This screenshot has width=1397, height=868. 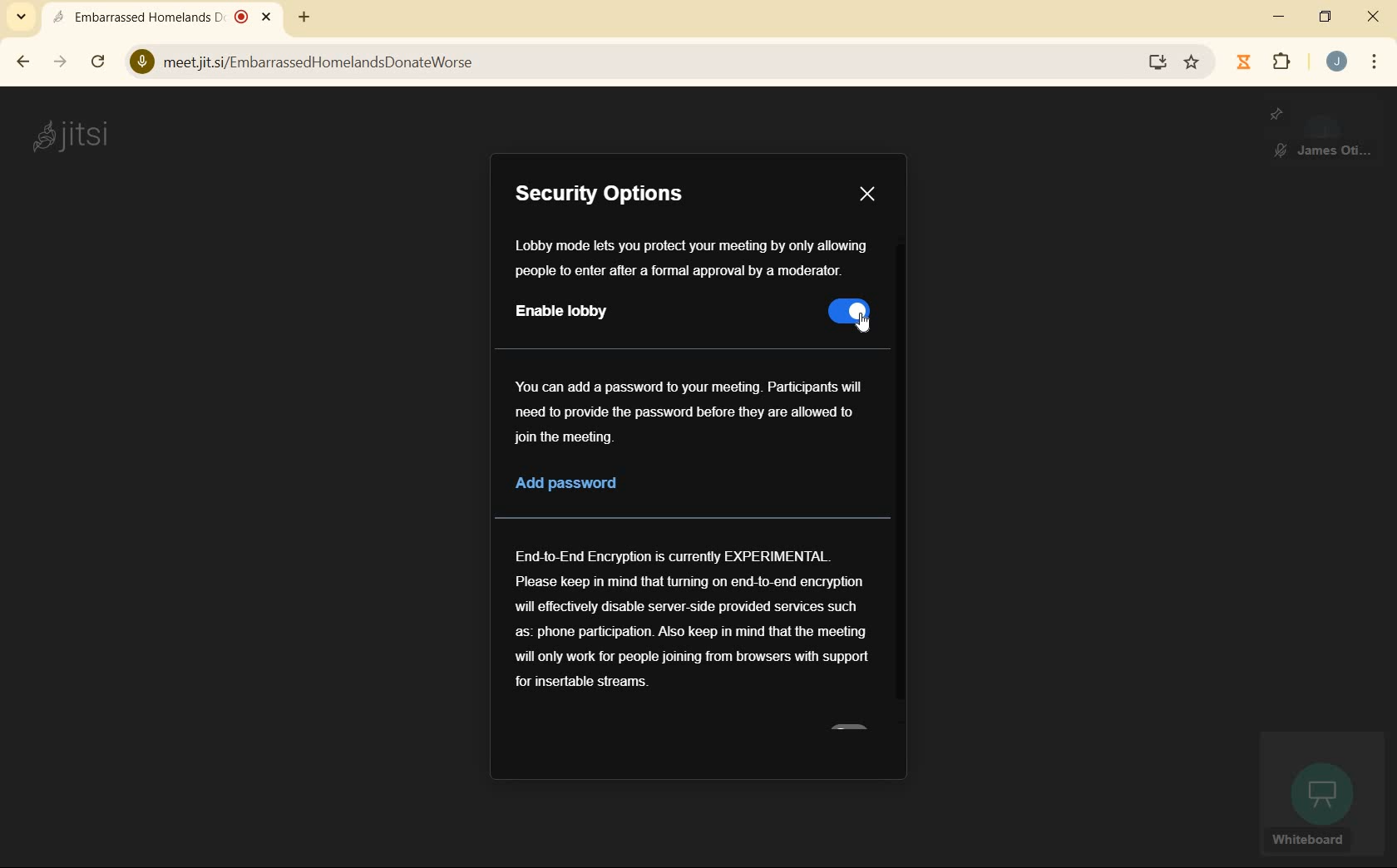 I want to click on cursor, so click(x=866, y=324).